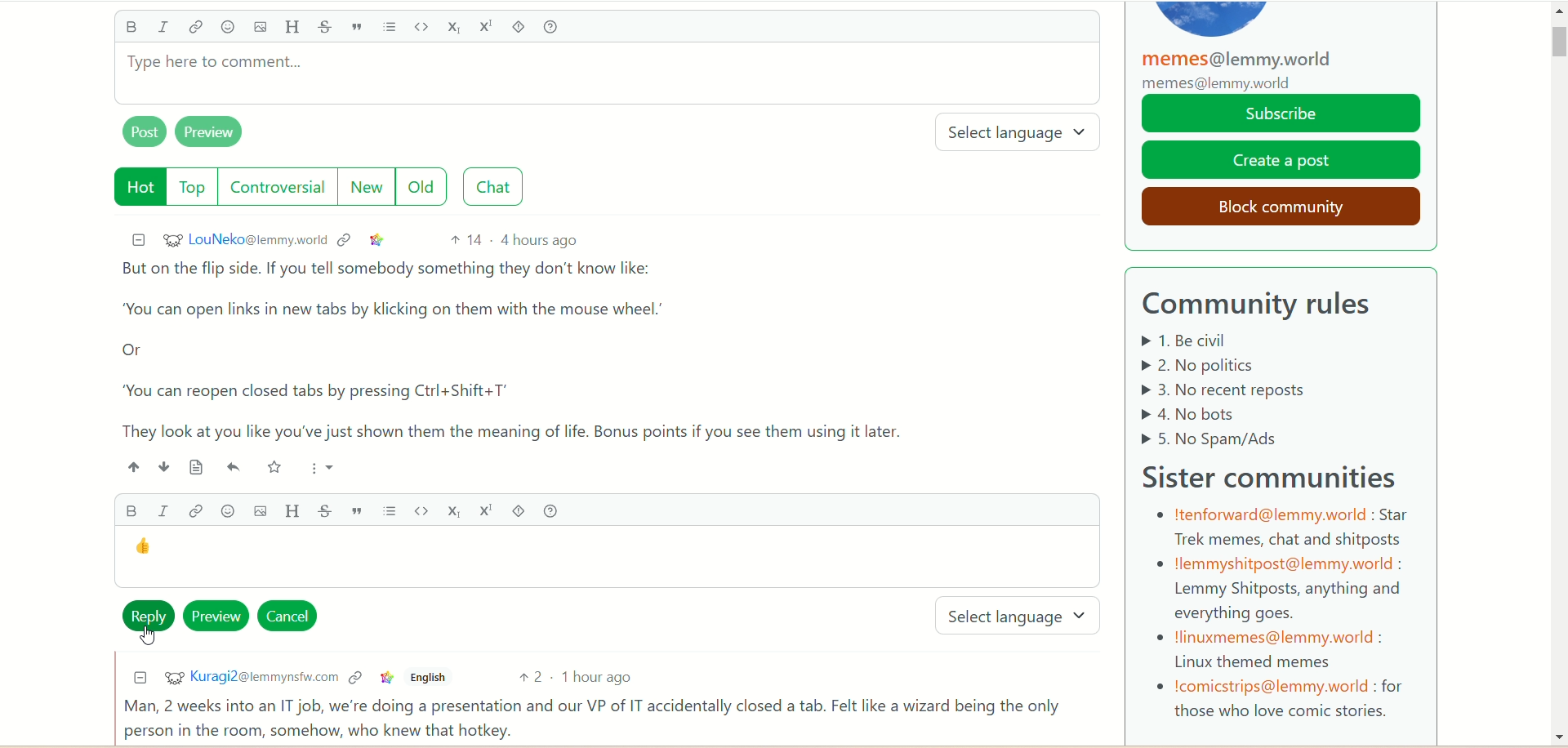 The height and width of the screenshot is (748, 1568). Describe the element at coordinates (193, 189) in the screenshot. I see `top` at that location.